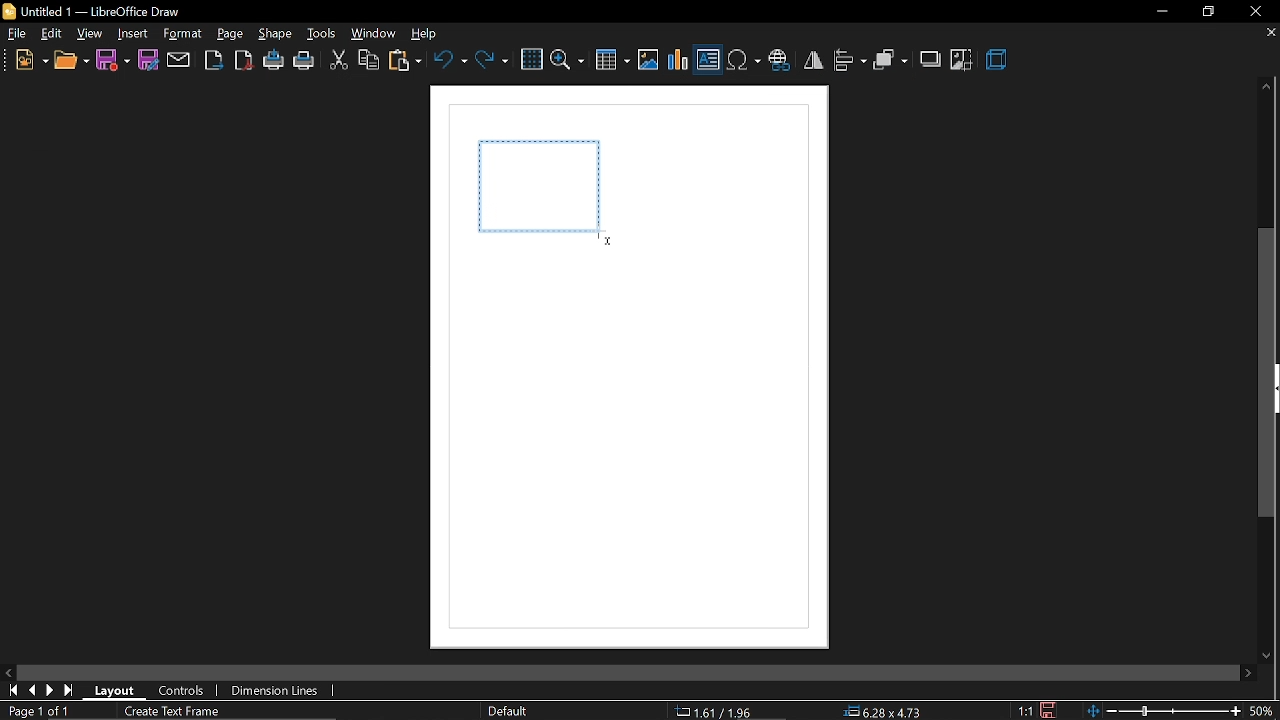 This screenshot has width=1280, height=720. I want to click on create text frame, so click(174, 712).